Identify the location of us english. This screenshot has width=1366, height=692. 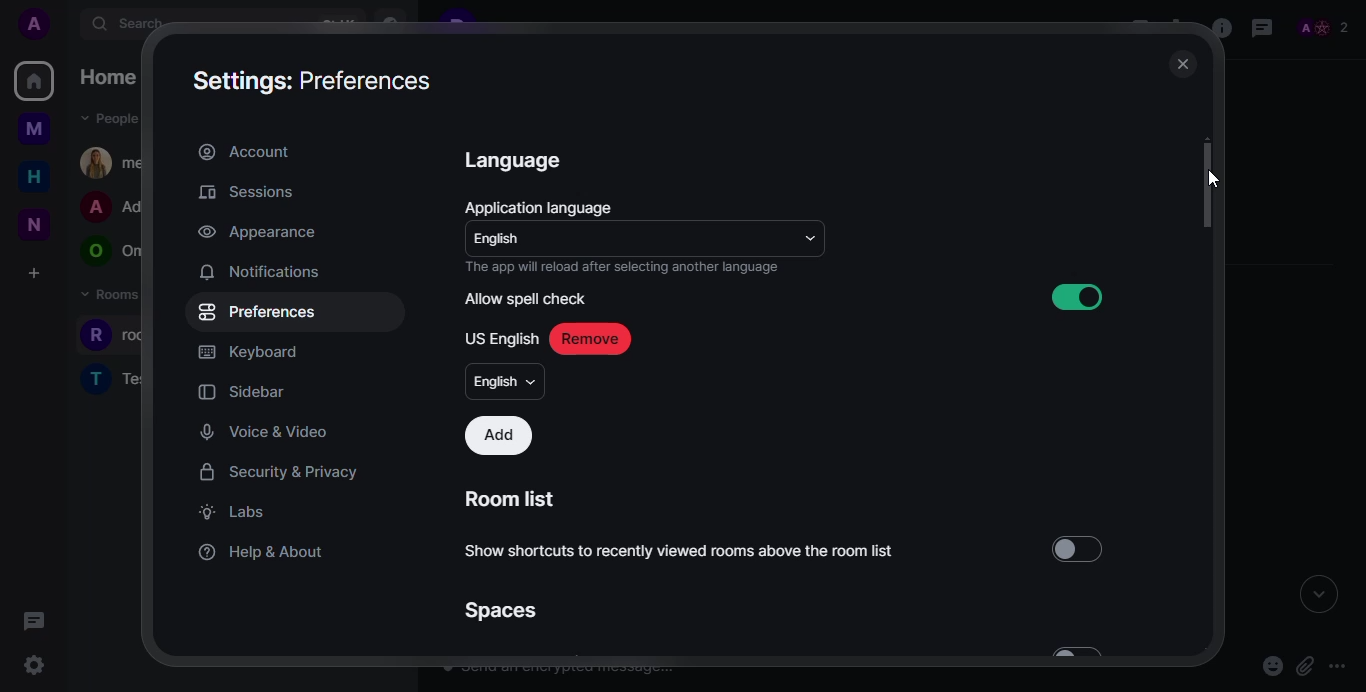
(502, 338).